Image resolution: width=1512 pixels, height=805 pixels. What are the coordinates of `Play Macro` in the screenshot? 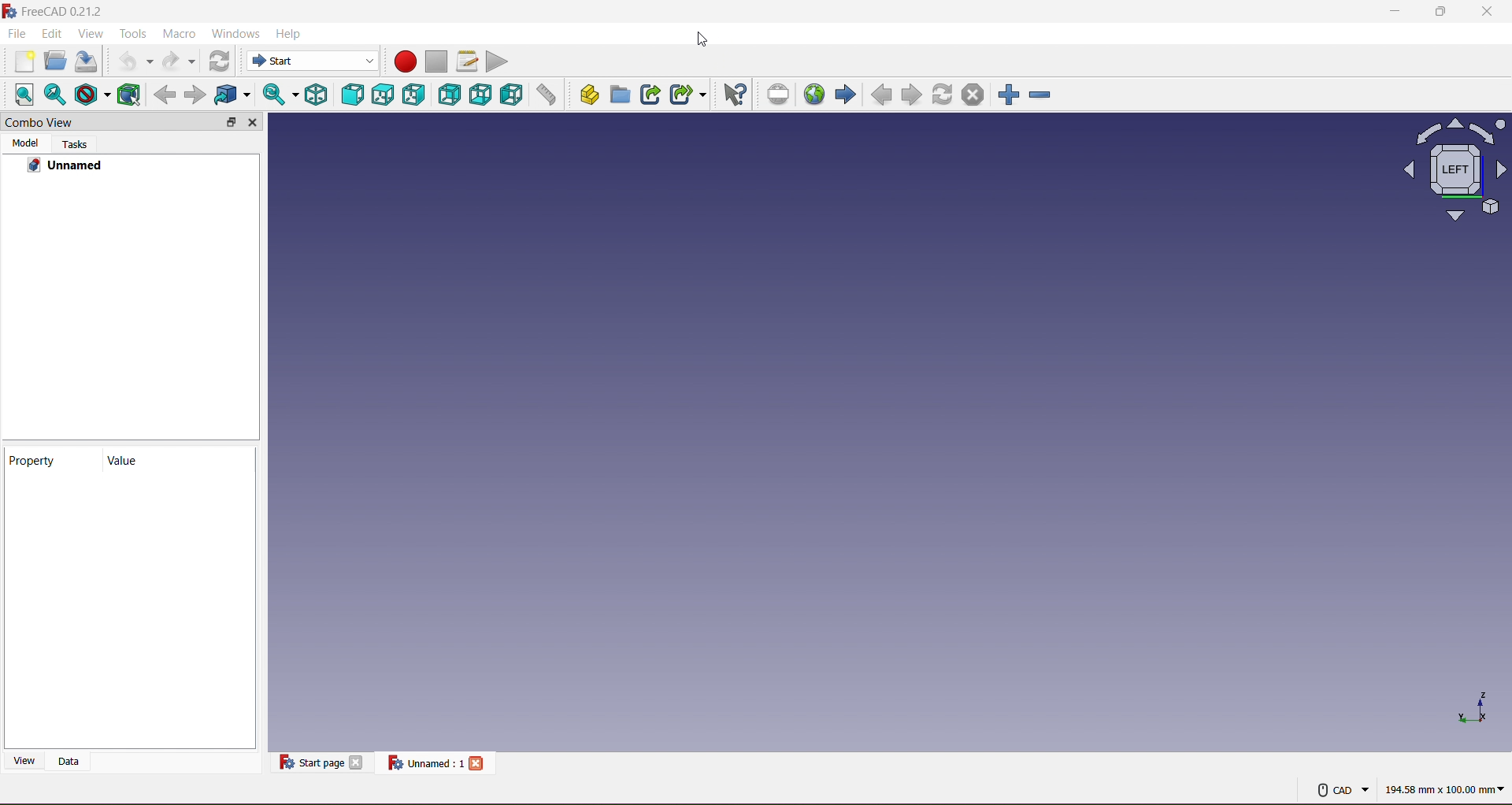 It's located at (497, 61).